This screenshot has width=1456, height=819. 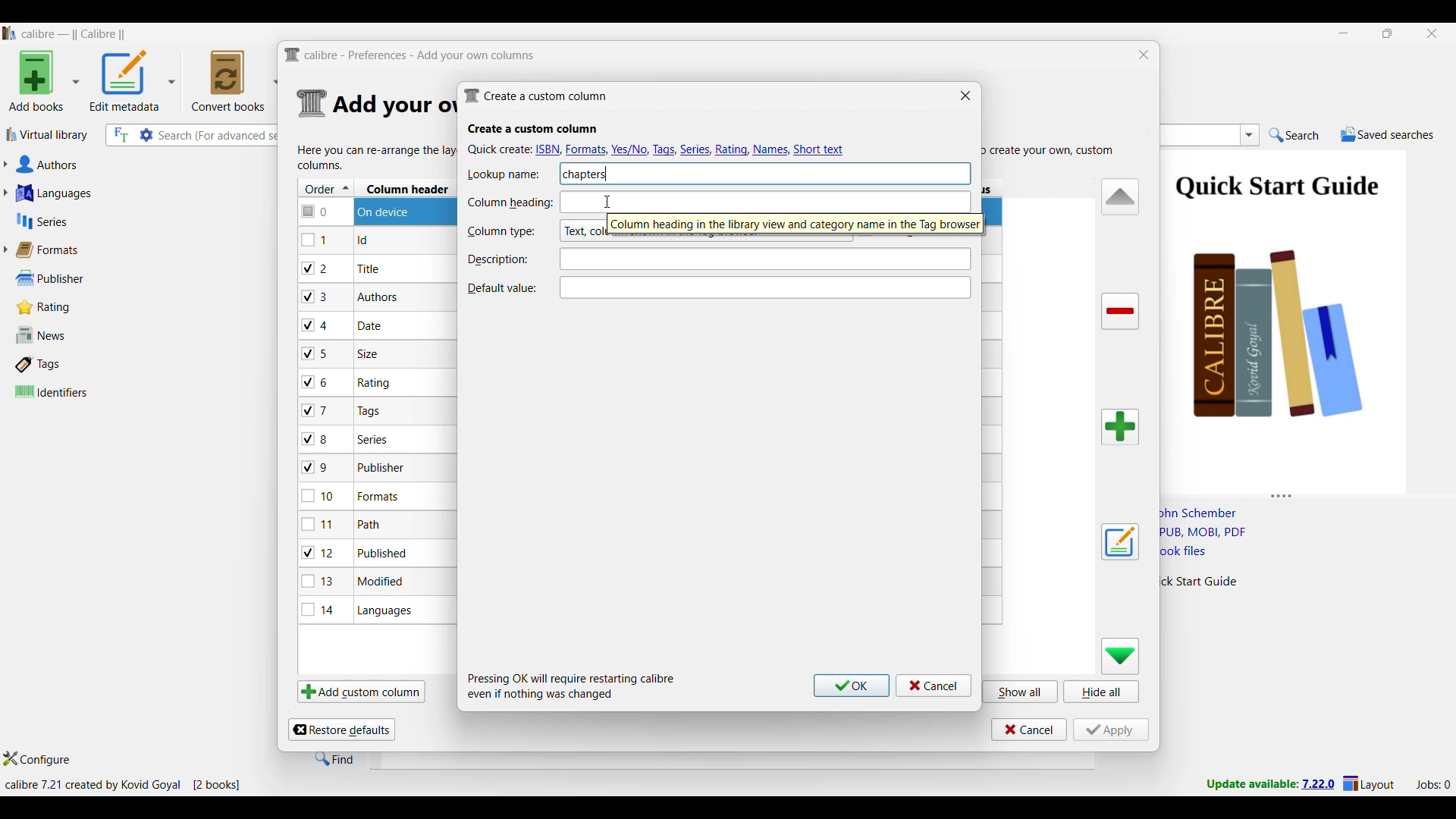 What do you see at coordinates (10, 33) in the screenshot?
I see `Software logo` at bounding box center [10, 33].